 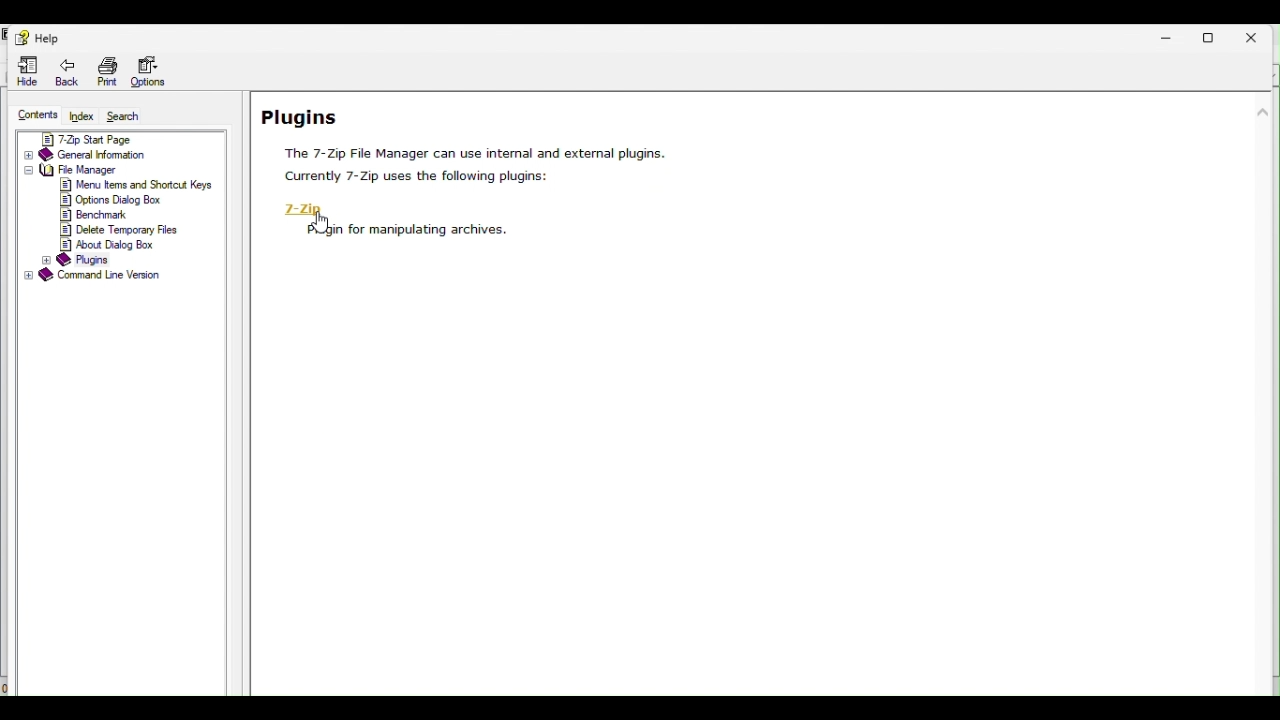 What do you see at coordinates (37, 113) in the screenshot?
I see `contents` at bounding box center [37, 113].